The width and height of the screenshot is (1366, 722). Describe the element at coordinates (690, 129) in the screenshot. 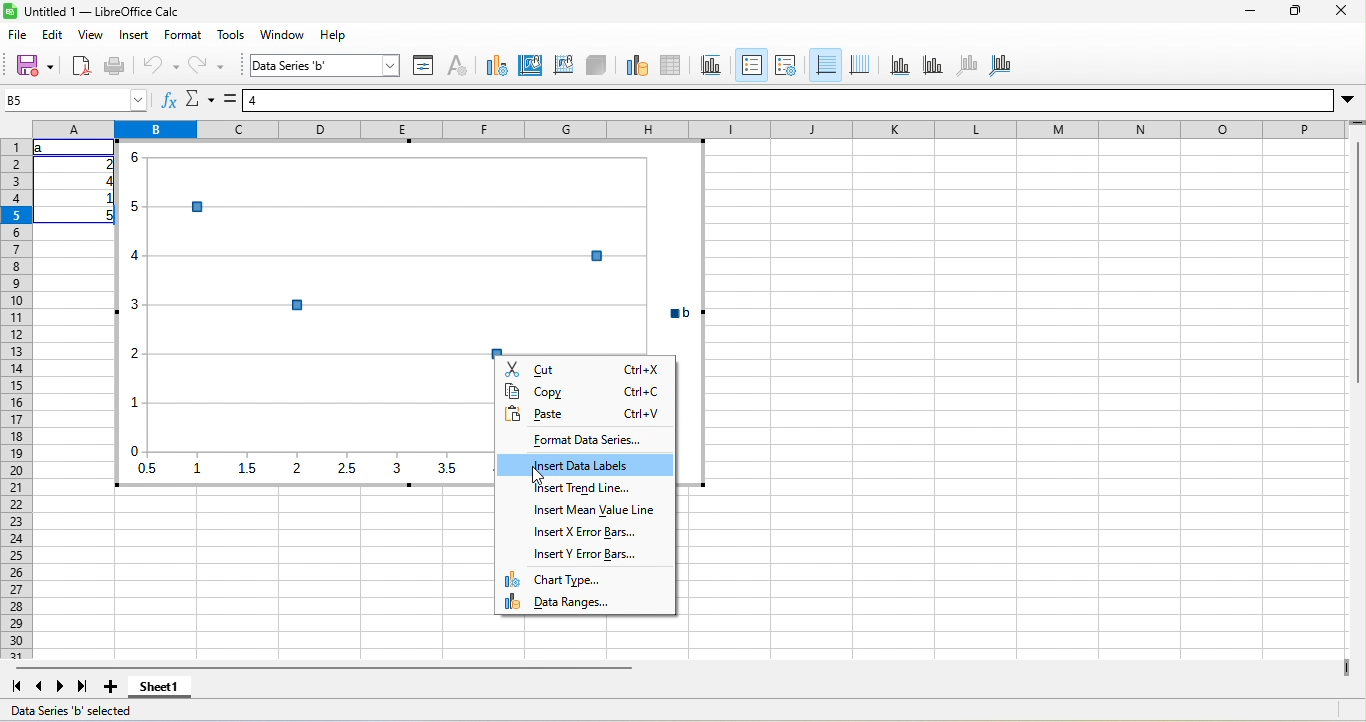

I see `column headings` at that location.